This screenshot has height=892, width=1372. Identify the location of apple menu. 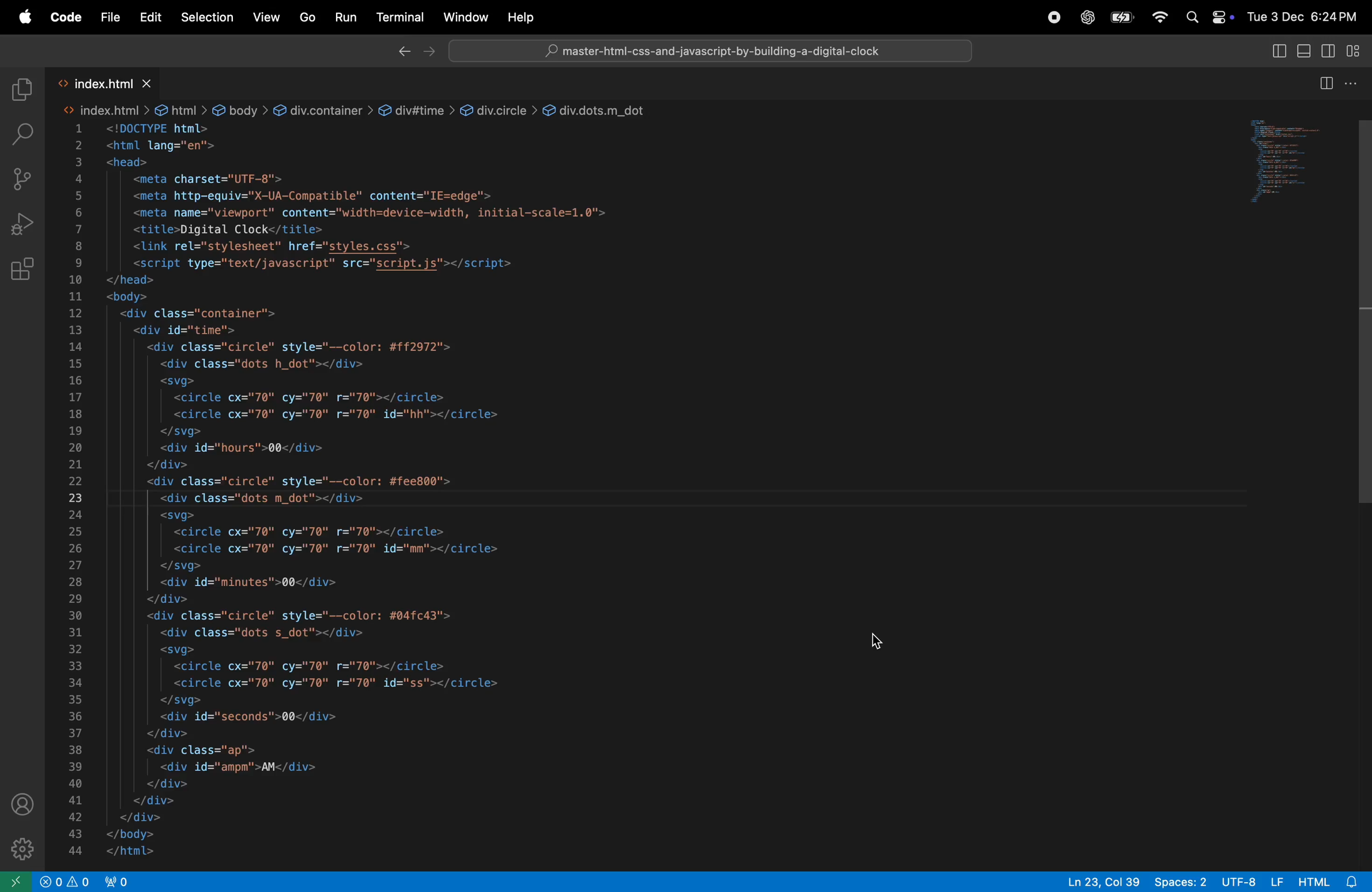
(24, 17).